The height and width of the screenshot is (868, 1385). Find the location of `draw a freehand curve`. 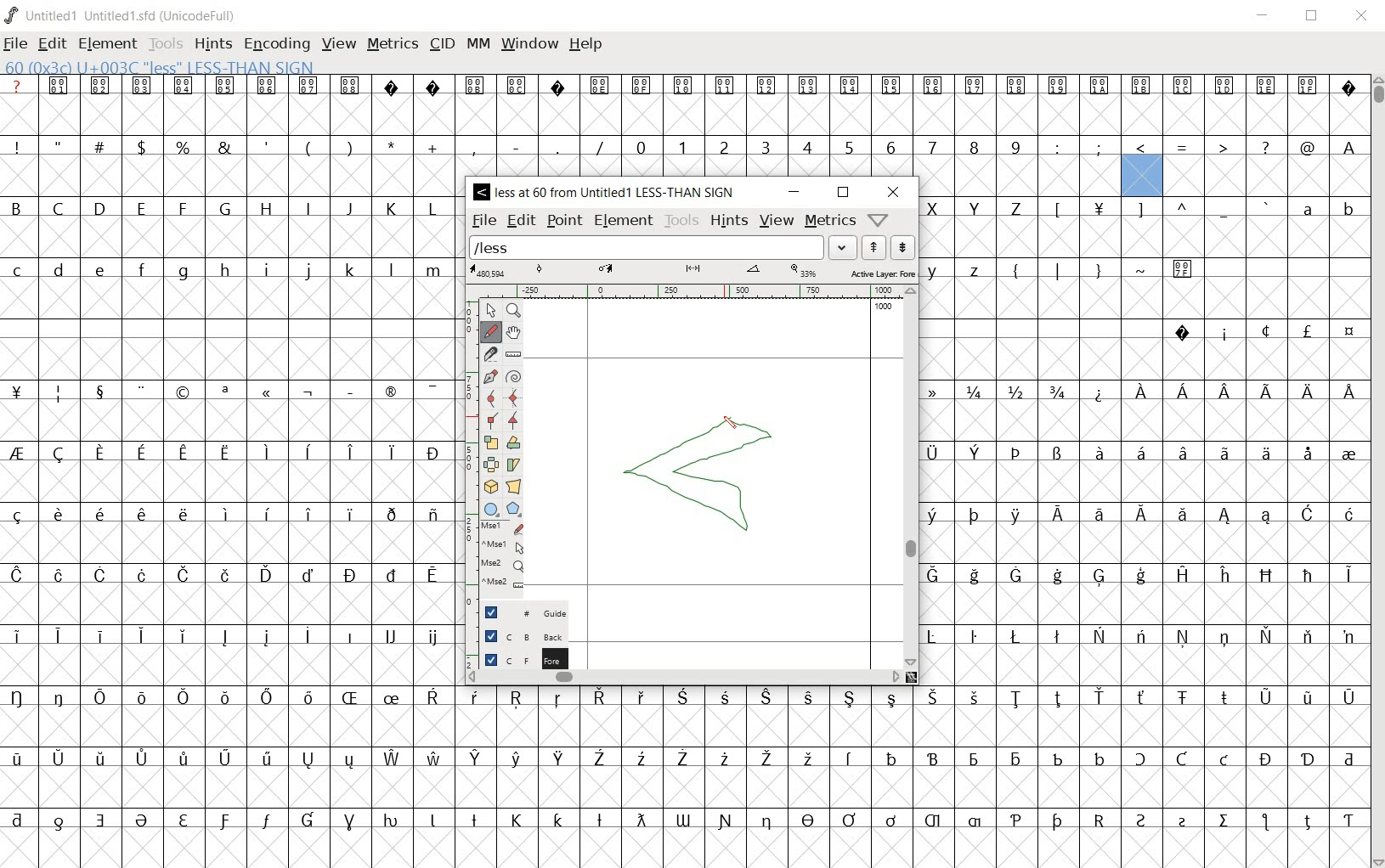

draw a freehand curve is located at coordinates (491, 331).